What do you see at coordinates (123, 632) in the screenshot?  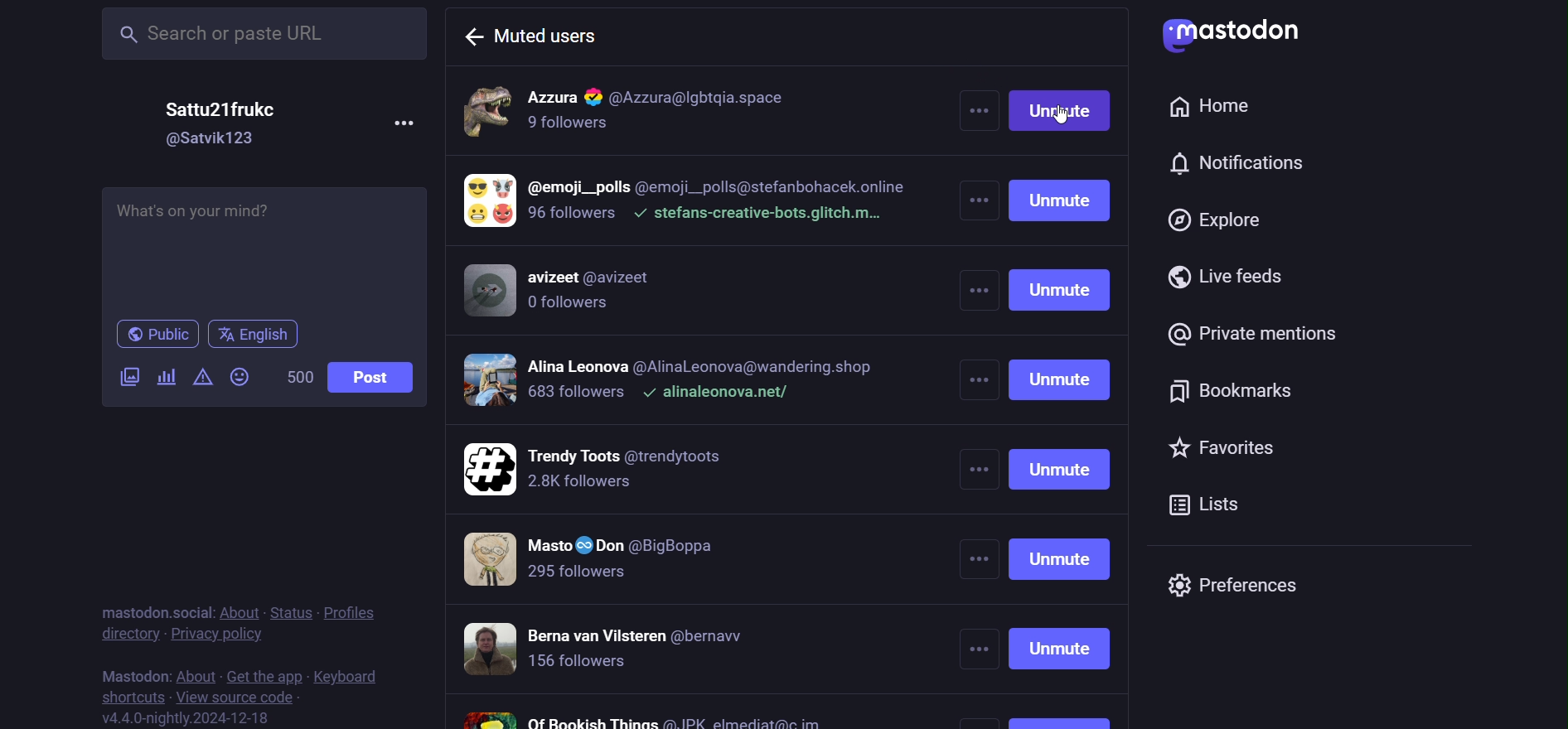 I see `directory` at bounding box center [123, 632].